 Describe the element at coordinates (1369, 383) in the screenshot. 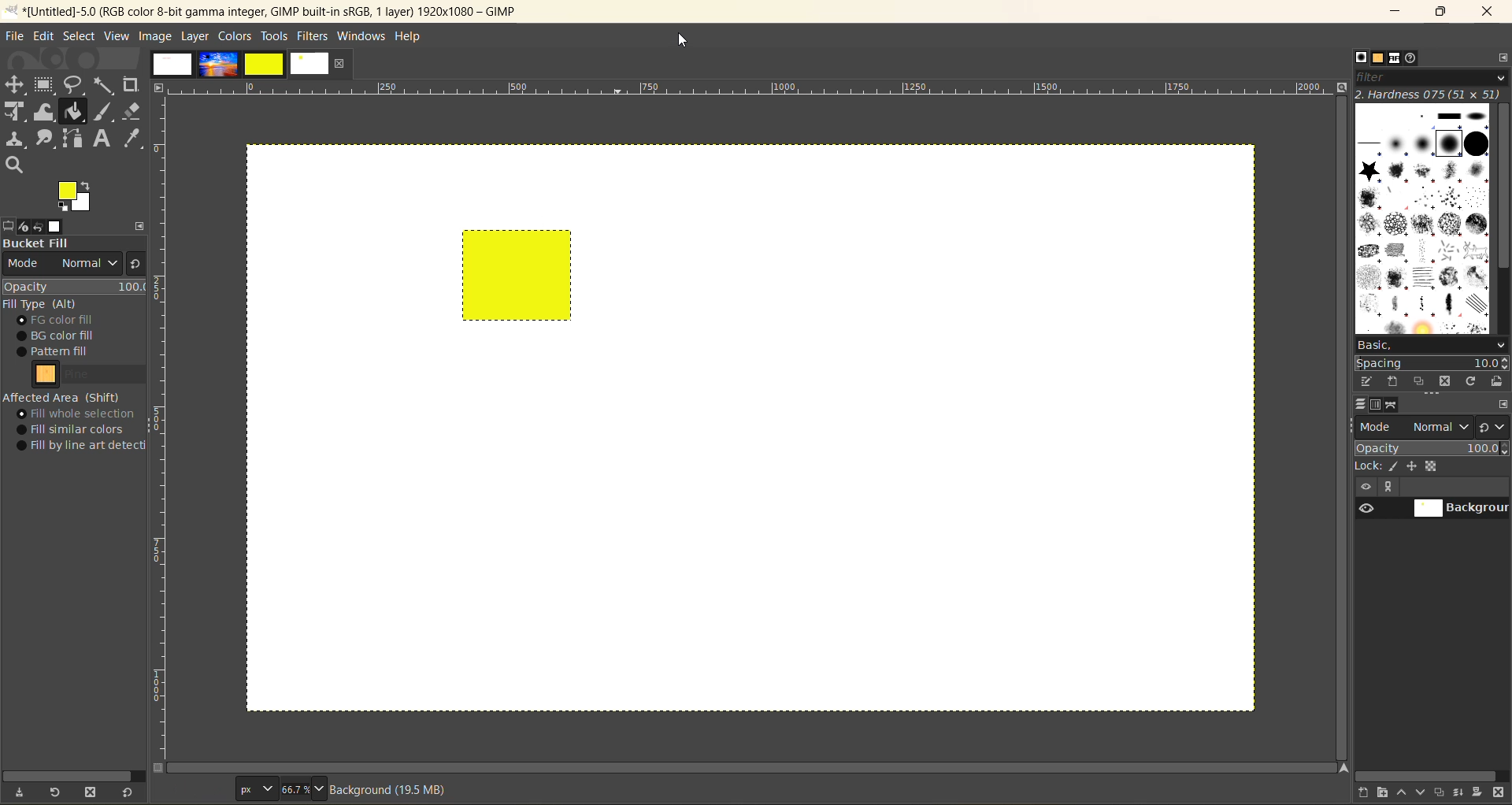

I see `edit this brush` at that location.